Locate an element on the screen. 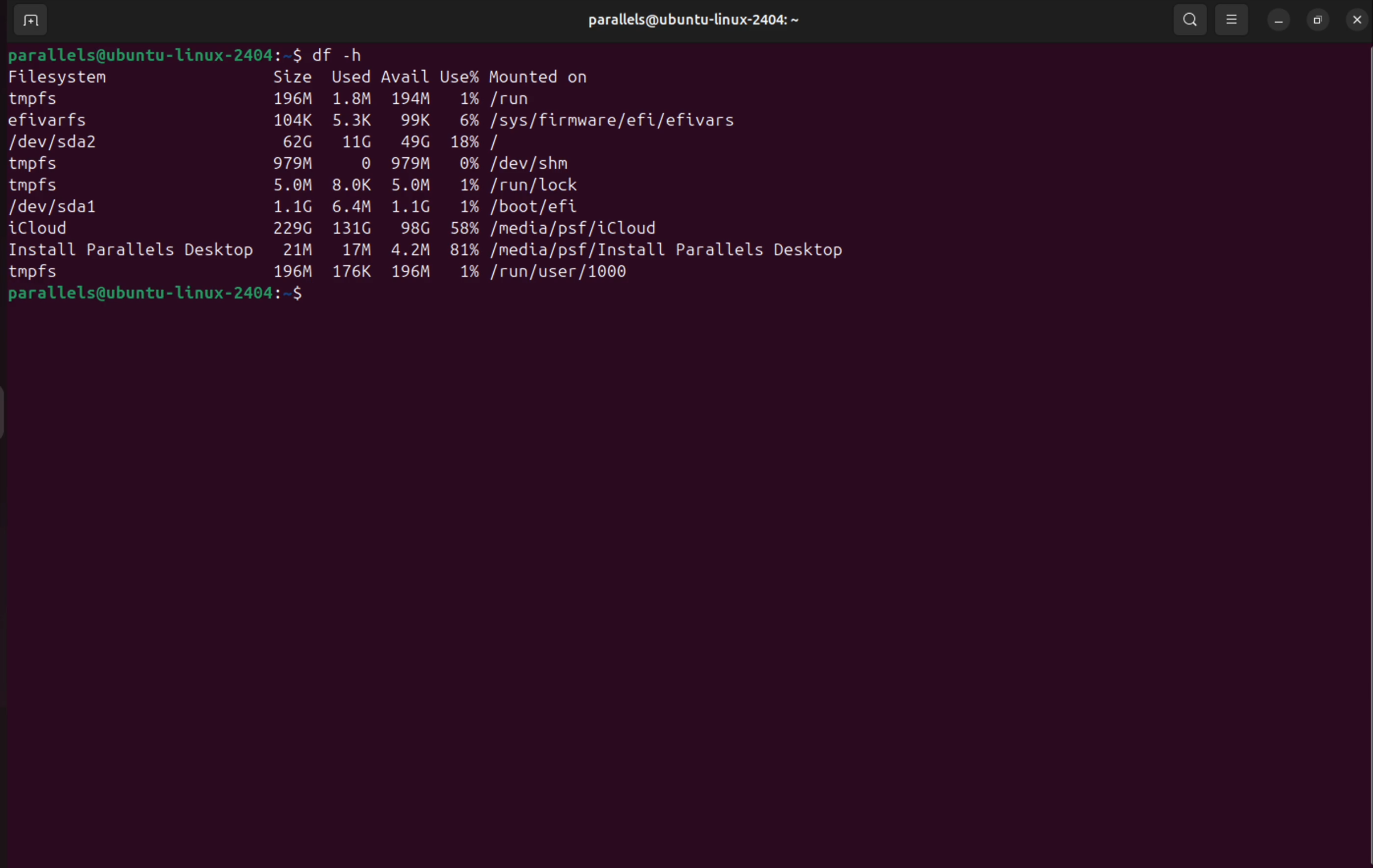 Image resolution: width=1373 pixels, height=868 pixels. 6% is located at coordinates (468, 120).